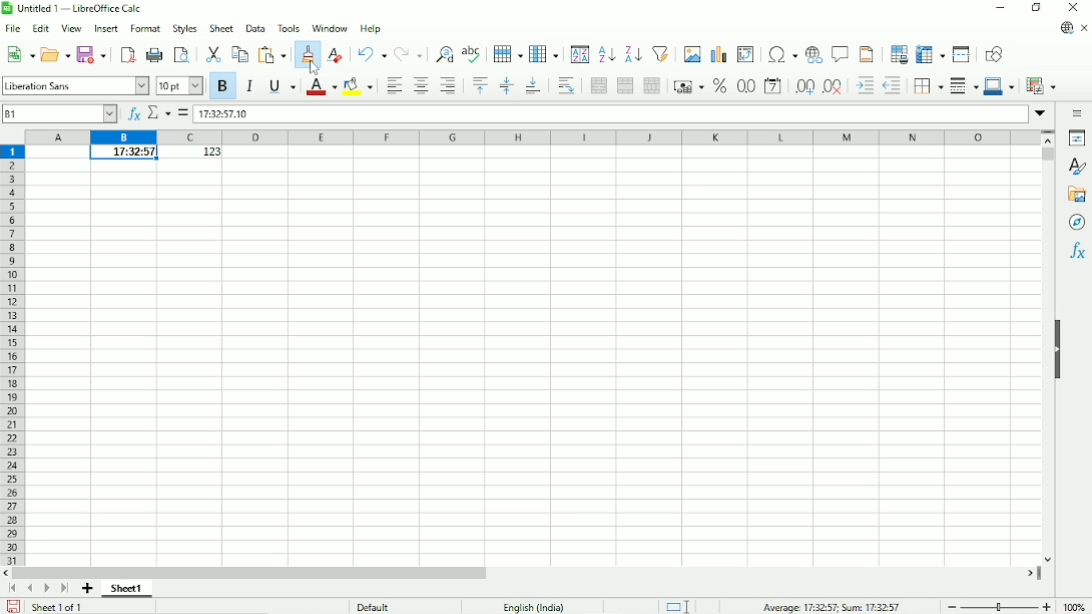 This screenshot has height=614, width=1092. Describe the element at coordinates (255, 28) in the screenshot. I see `Data` at that location.